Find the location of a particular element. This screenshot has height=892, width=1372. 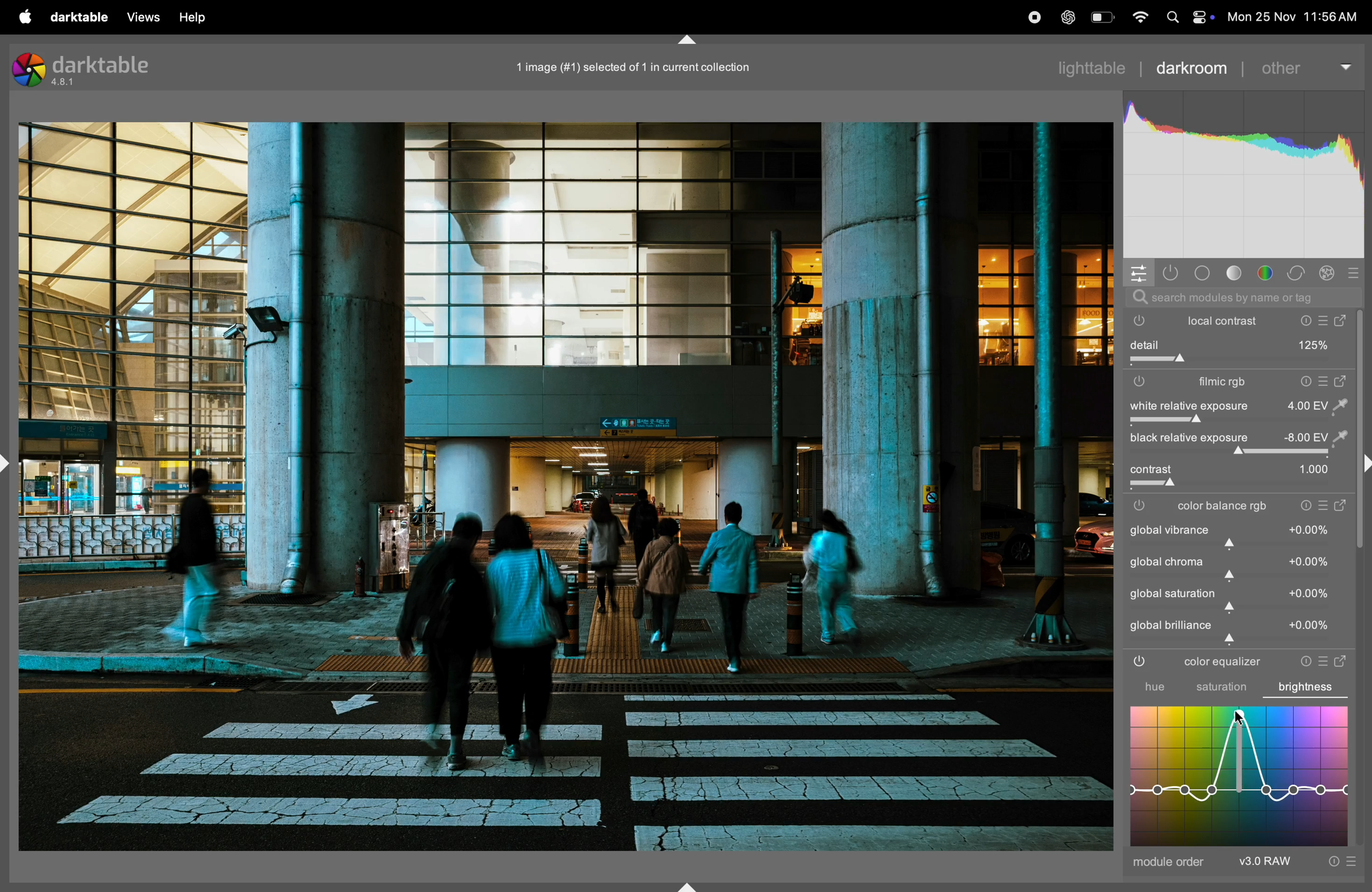

light table is located at coordinates (1092, 66).